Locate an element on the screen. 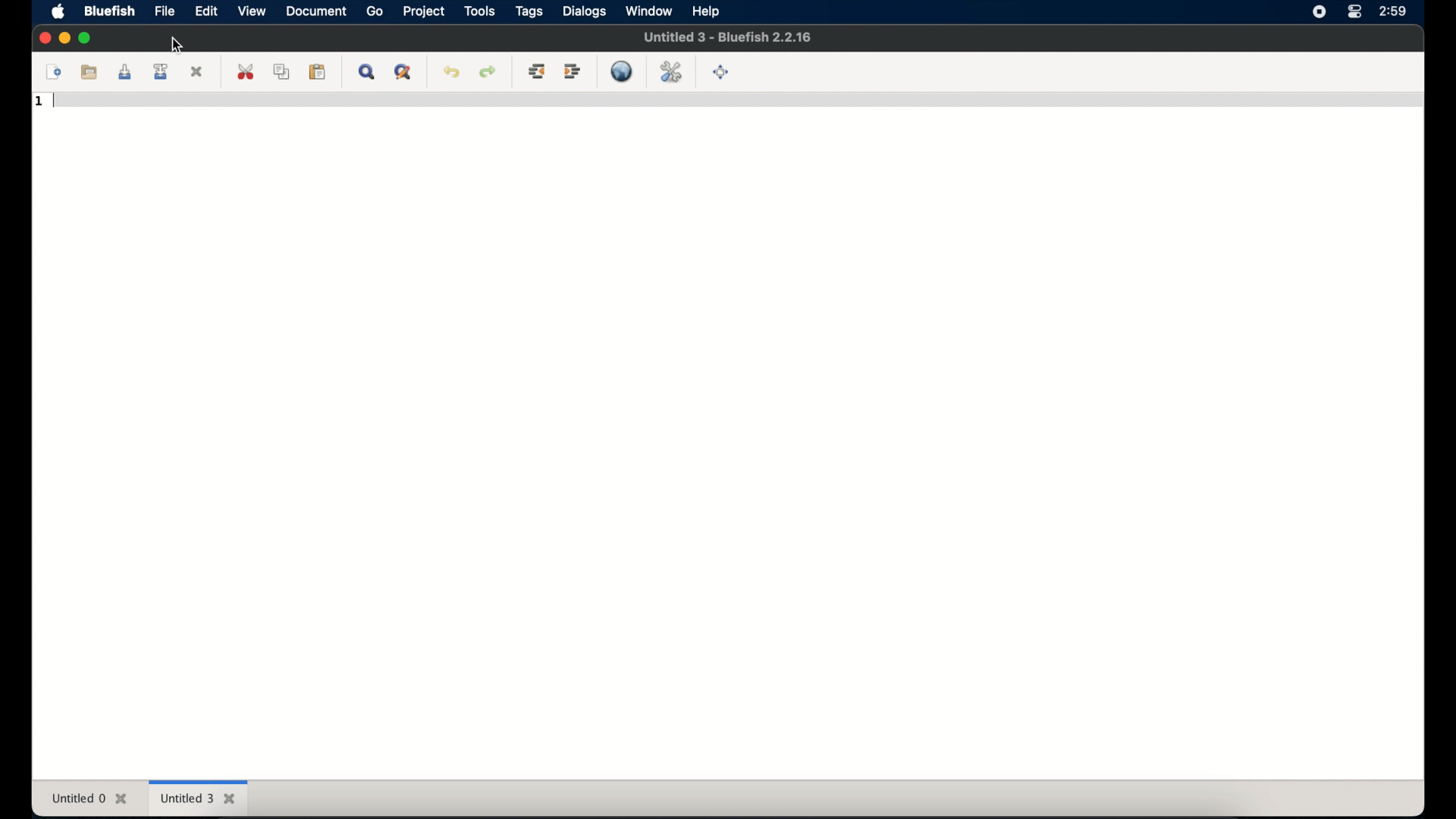 The height and width of the screenshot is (819, 1456). dialogs is located at coordinates (585, 11).